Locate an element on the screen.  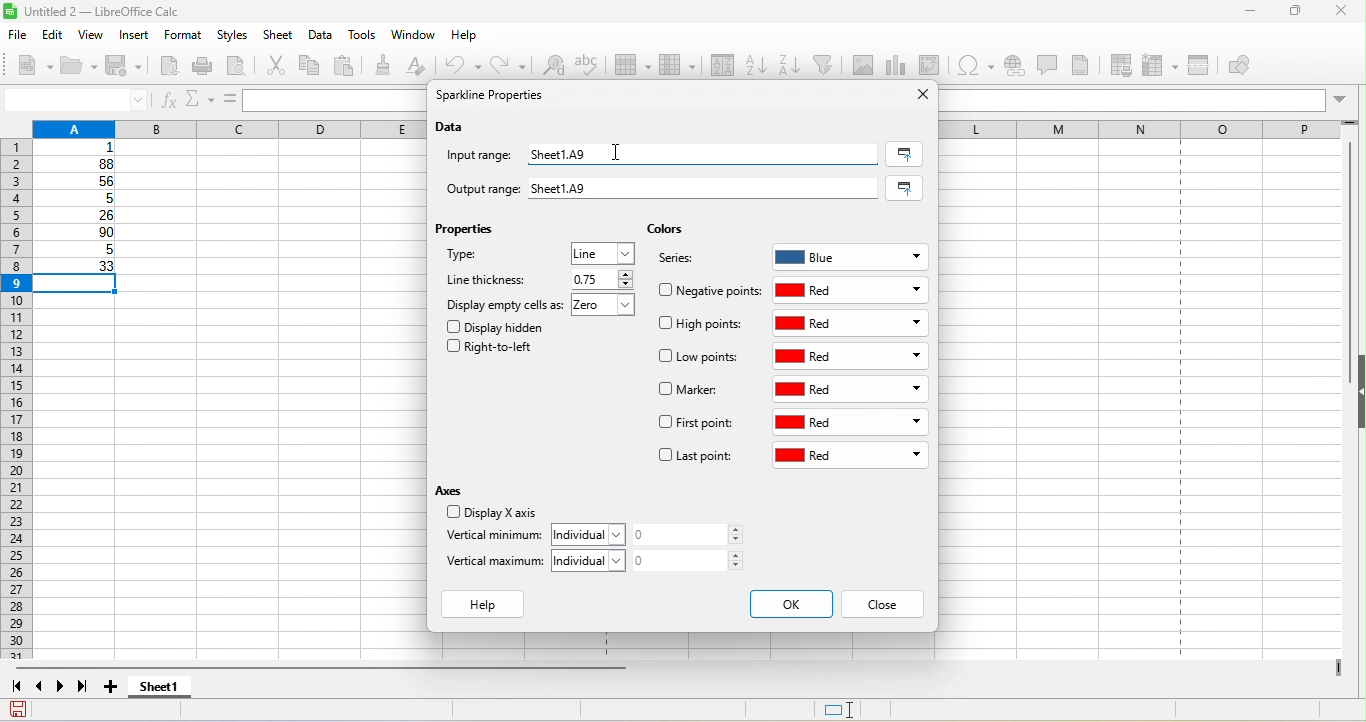
format is located at coordinates (181, 36).